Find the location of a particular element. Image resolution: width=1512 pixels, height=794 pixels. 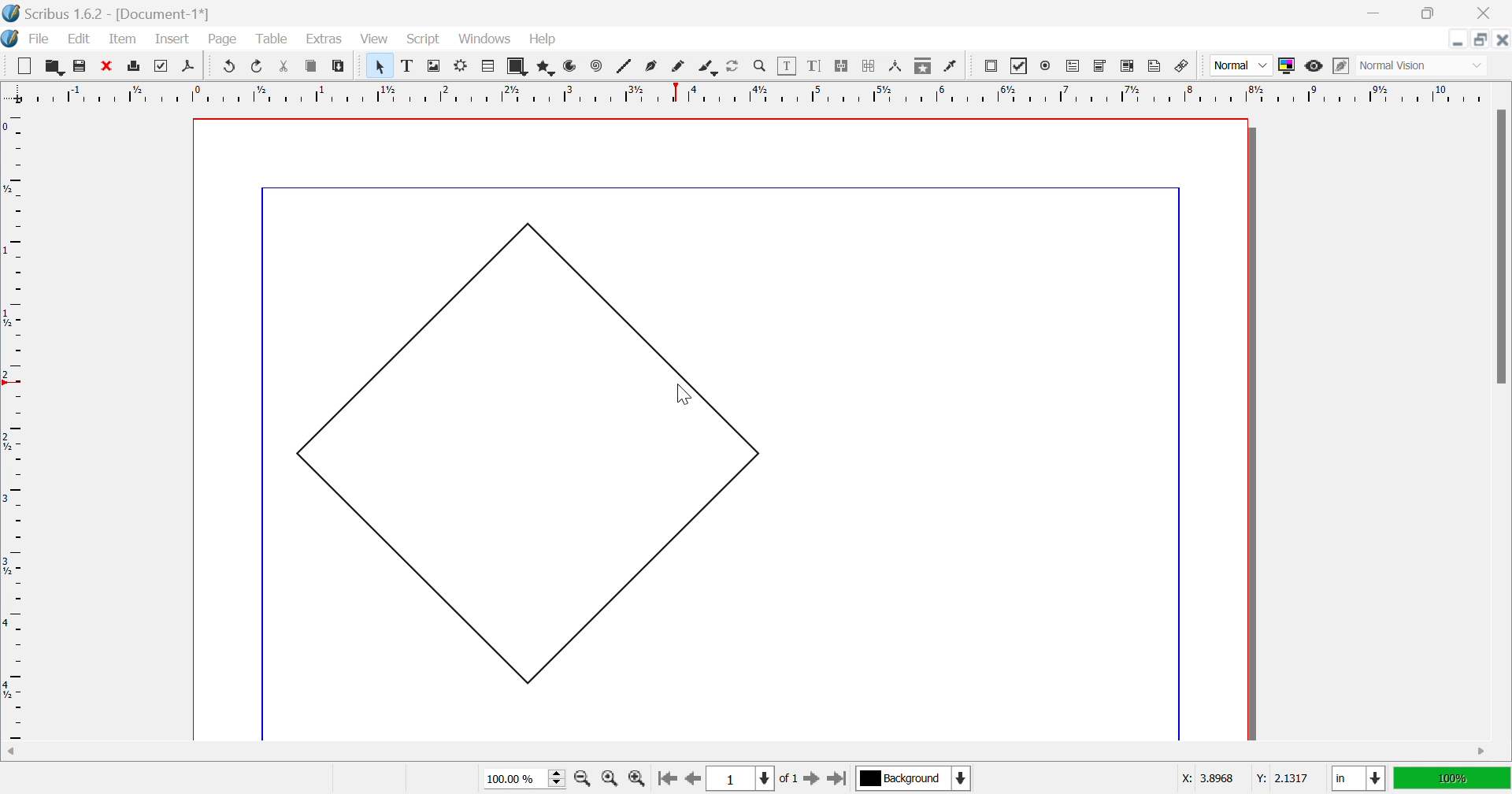

Zoom out by the stepping value in Tools preferences is located at coordinates (584, 781).